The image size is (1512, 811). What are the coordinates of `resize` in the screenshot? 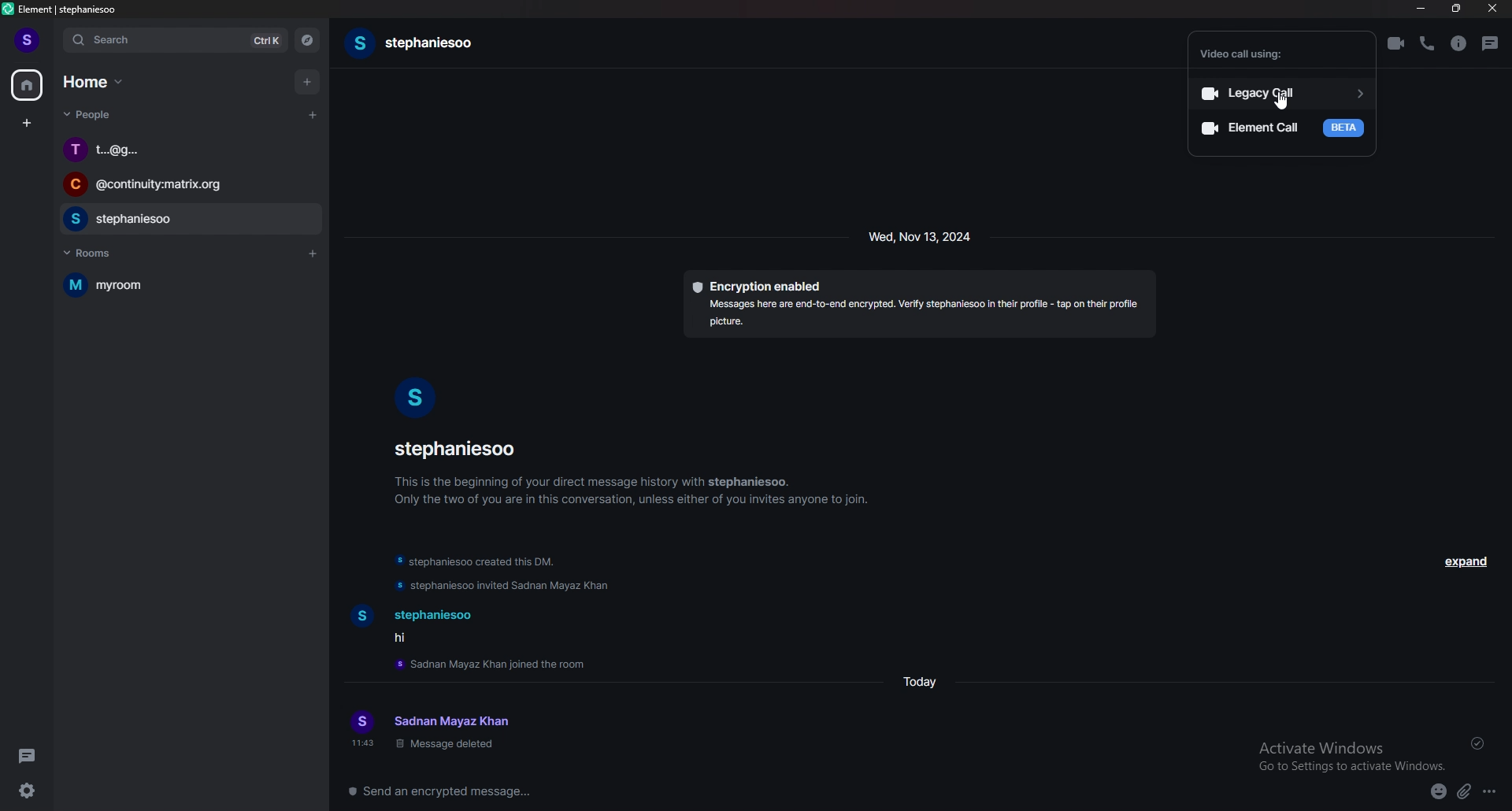 It's located at (1458, 9).